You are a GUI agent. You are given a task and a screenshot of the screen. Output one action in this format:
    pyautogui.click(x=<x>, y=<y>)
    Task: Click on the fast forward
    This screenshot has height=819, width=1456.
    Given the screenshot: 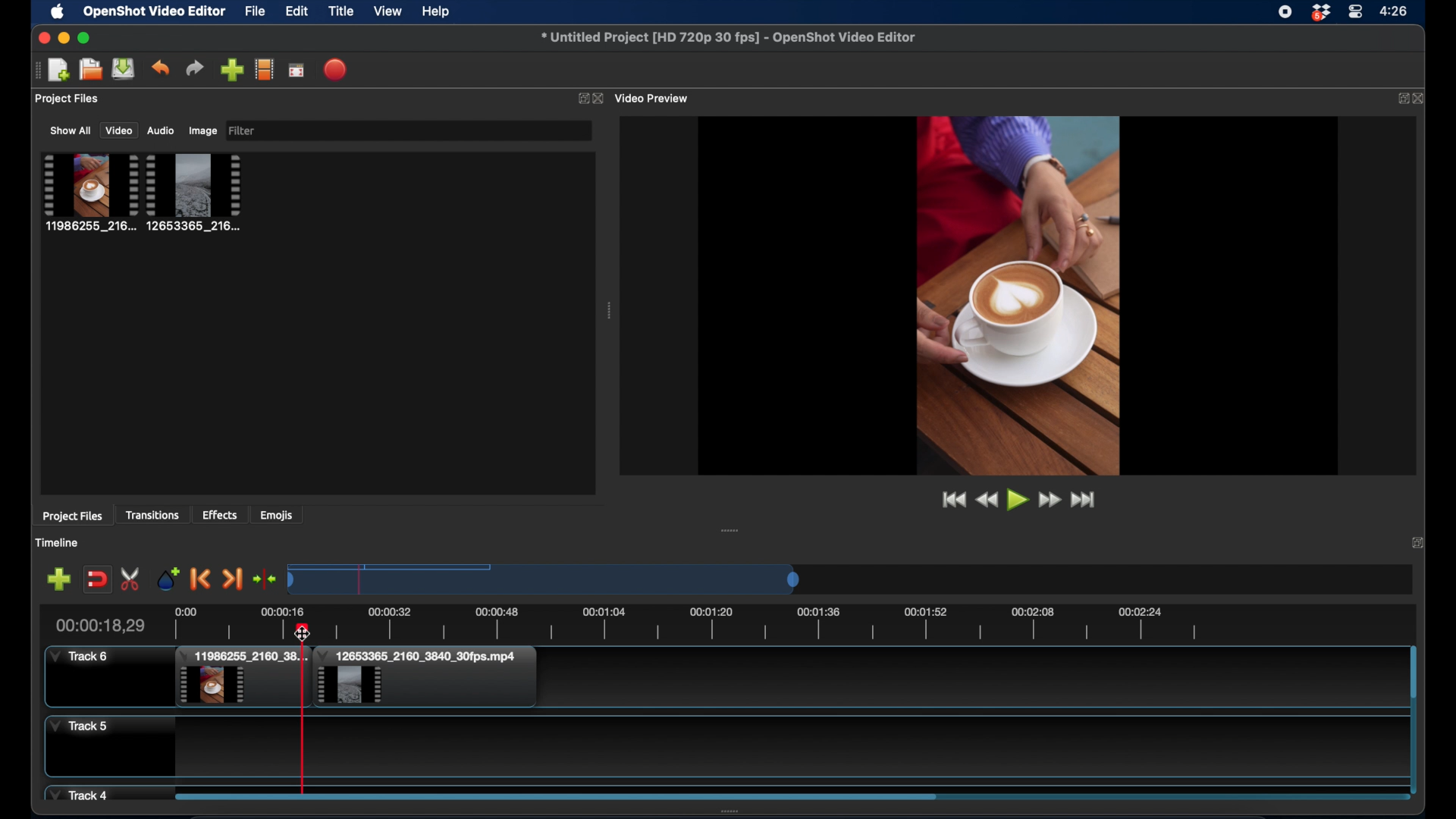 What is the action you would take?
    pyautogui.click(x=1049, y=500)
    